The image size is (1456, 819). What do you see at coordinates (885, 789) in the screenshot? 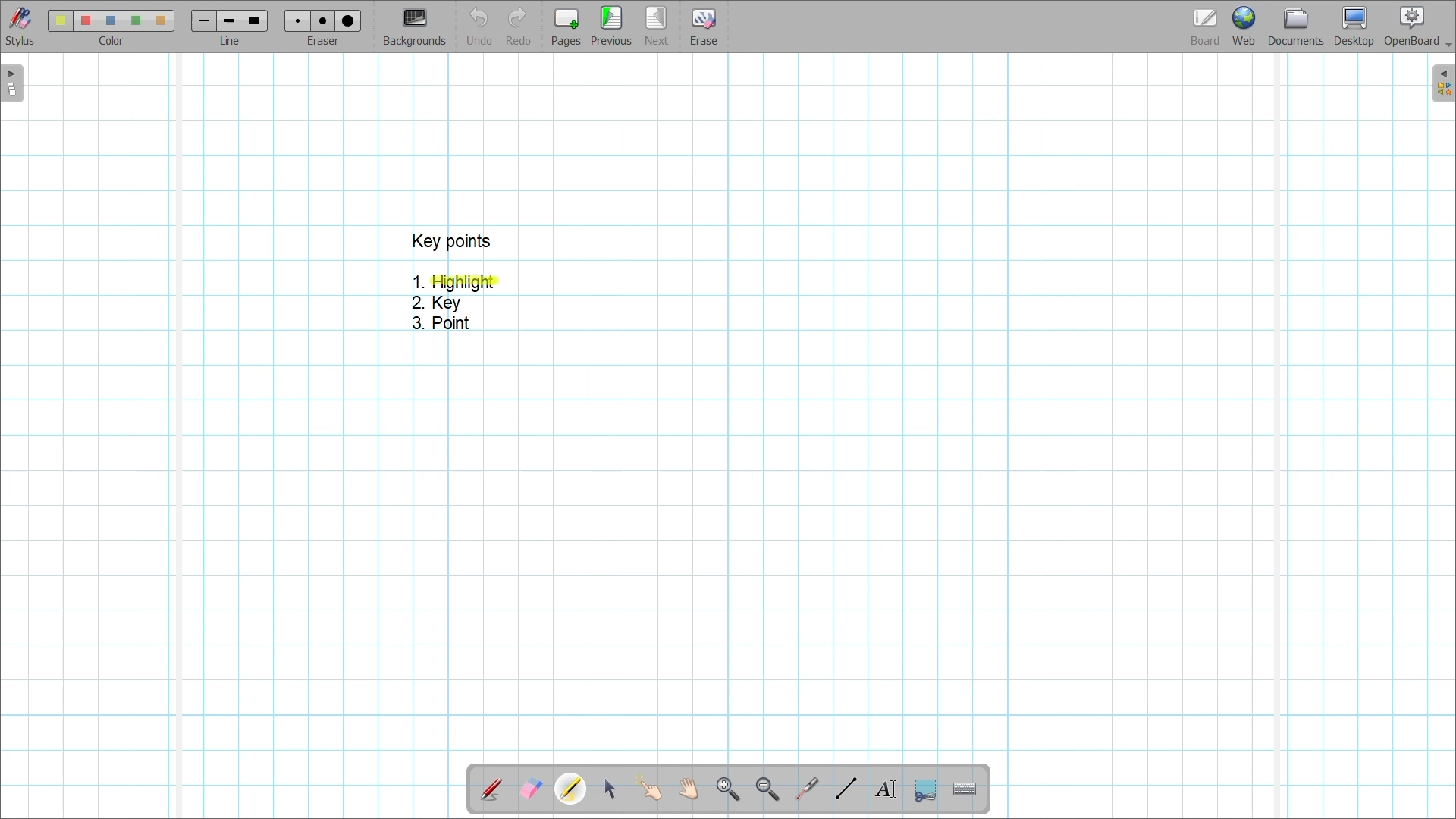
I see `Write text` at bounding box center [885, 789].